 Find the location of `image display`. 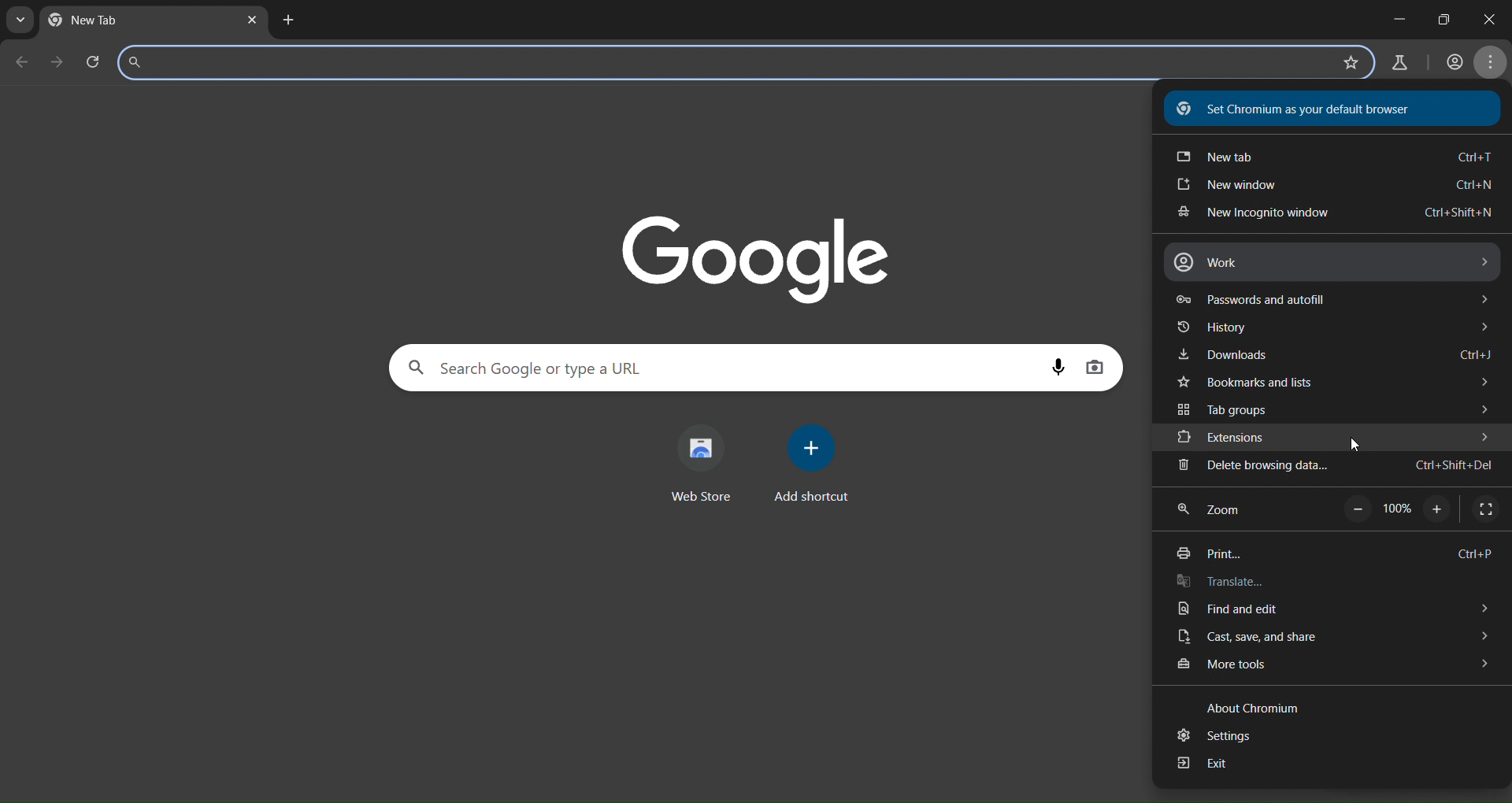

image display is located at coordinates (1096, 368).